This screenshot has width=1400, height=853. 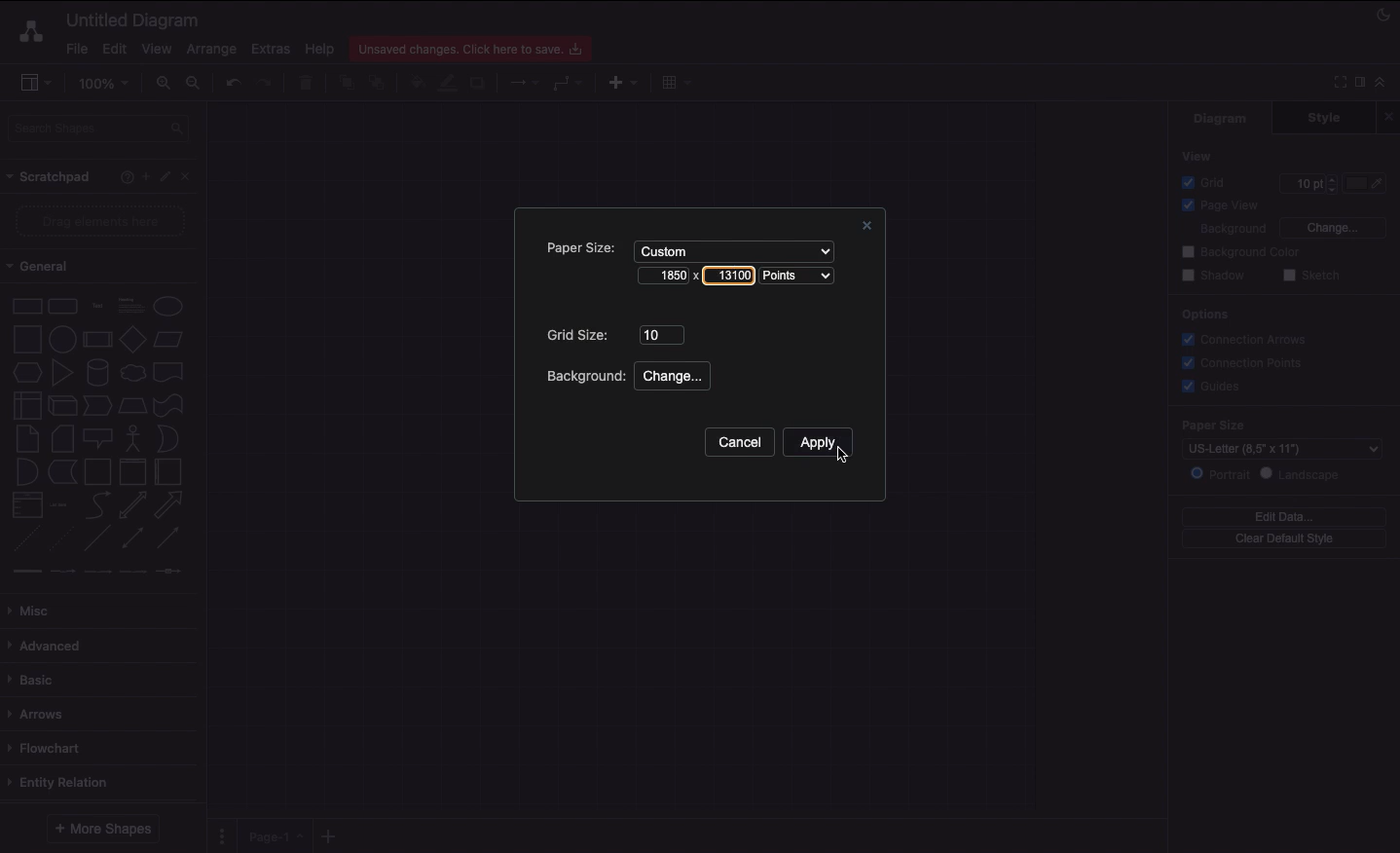 What do you see at coordinates (1243, 362) in the screenshot?
I see `Connection points` at bounding box center [1243, 362].